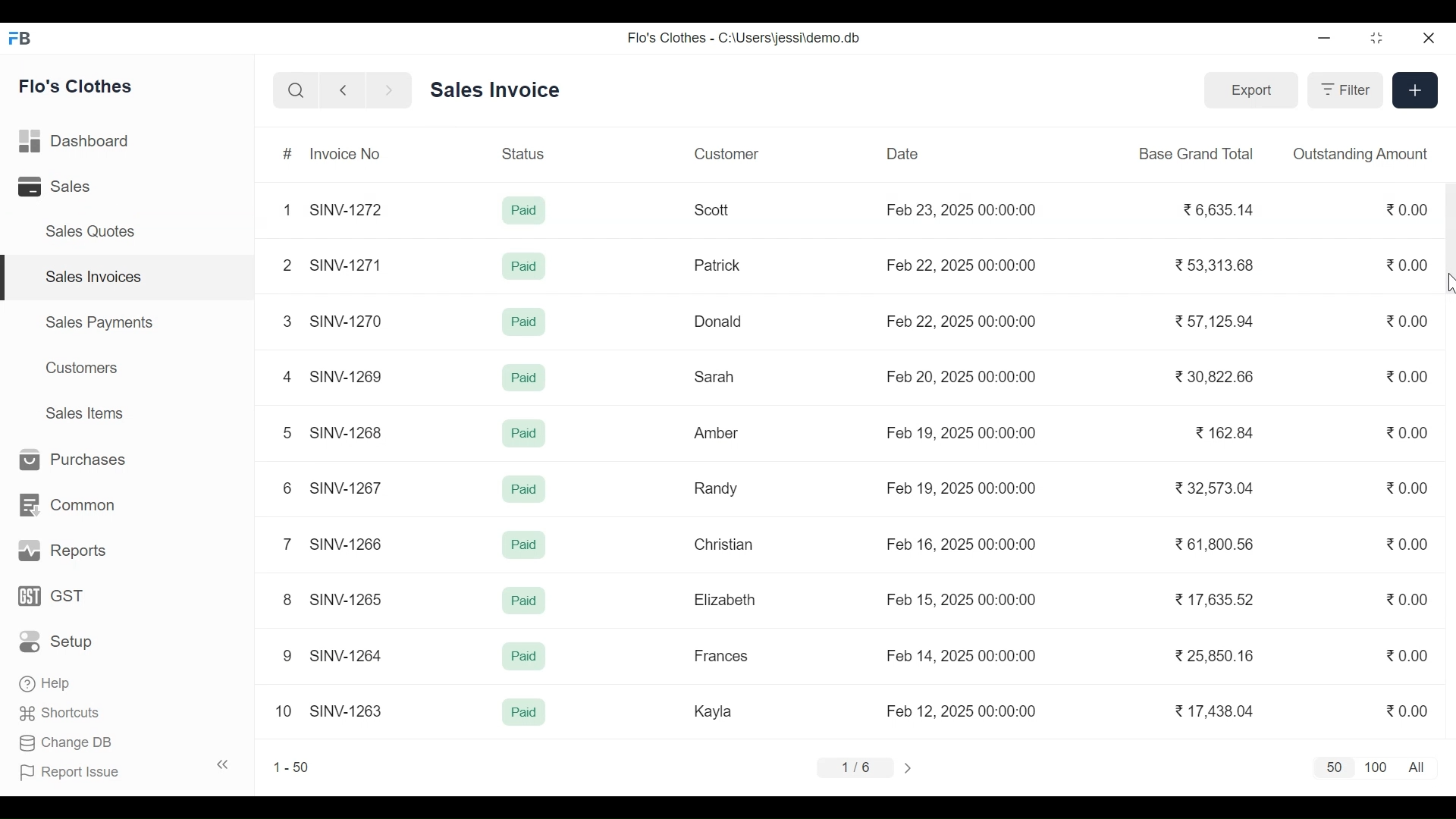 The height and width of the screenshot is (819, 1456). I want to click on SINV-1271, so click(350, 265).